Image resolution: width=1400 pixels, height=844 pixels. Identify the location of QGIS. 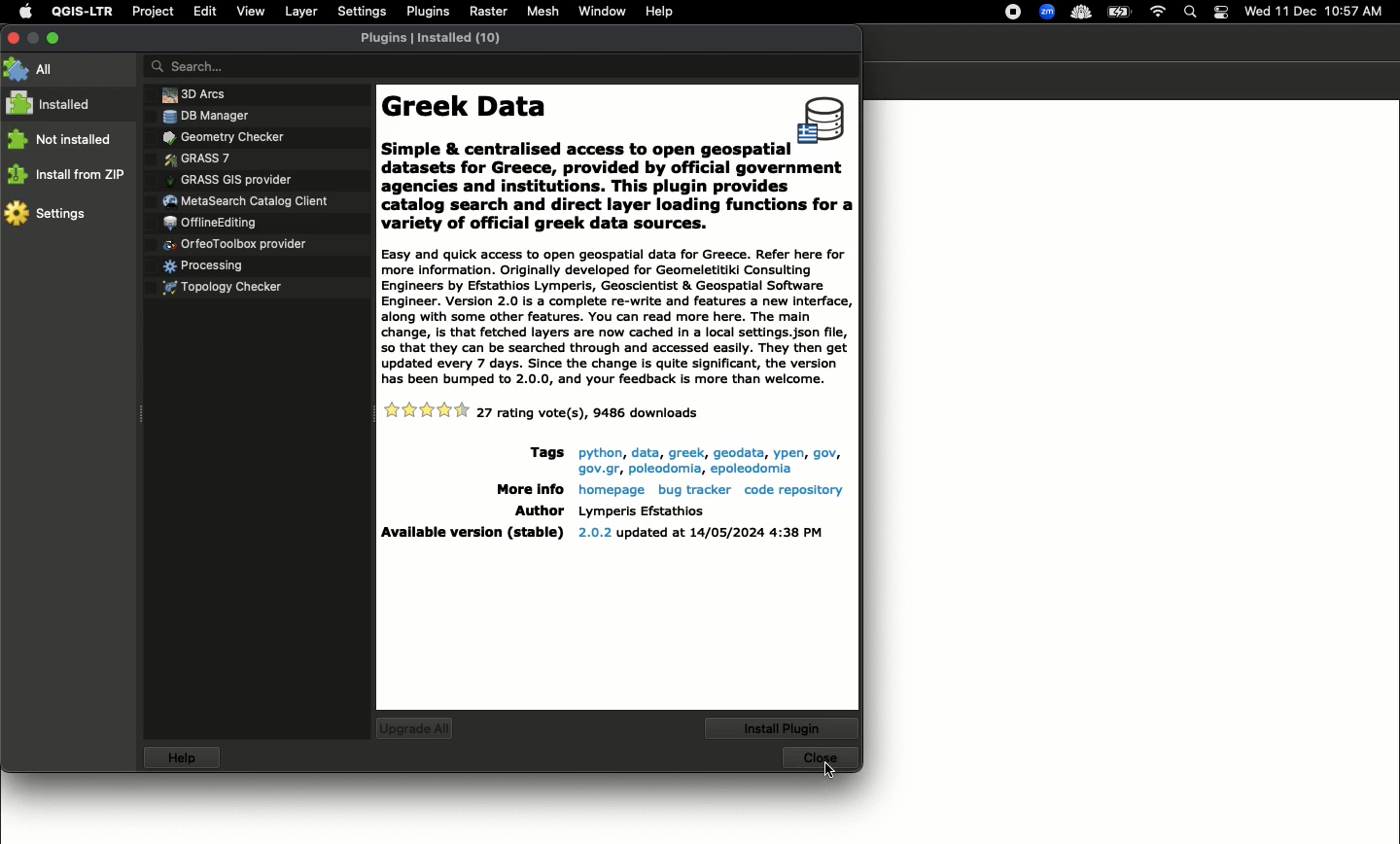
(82, 12).